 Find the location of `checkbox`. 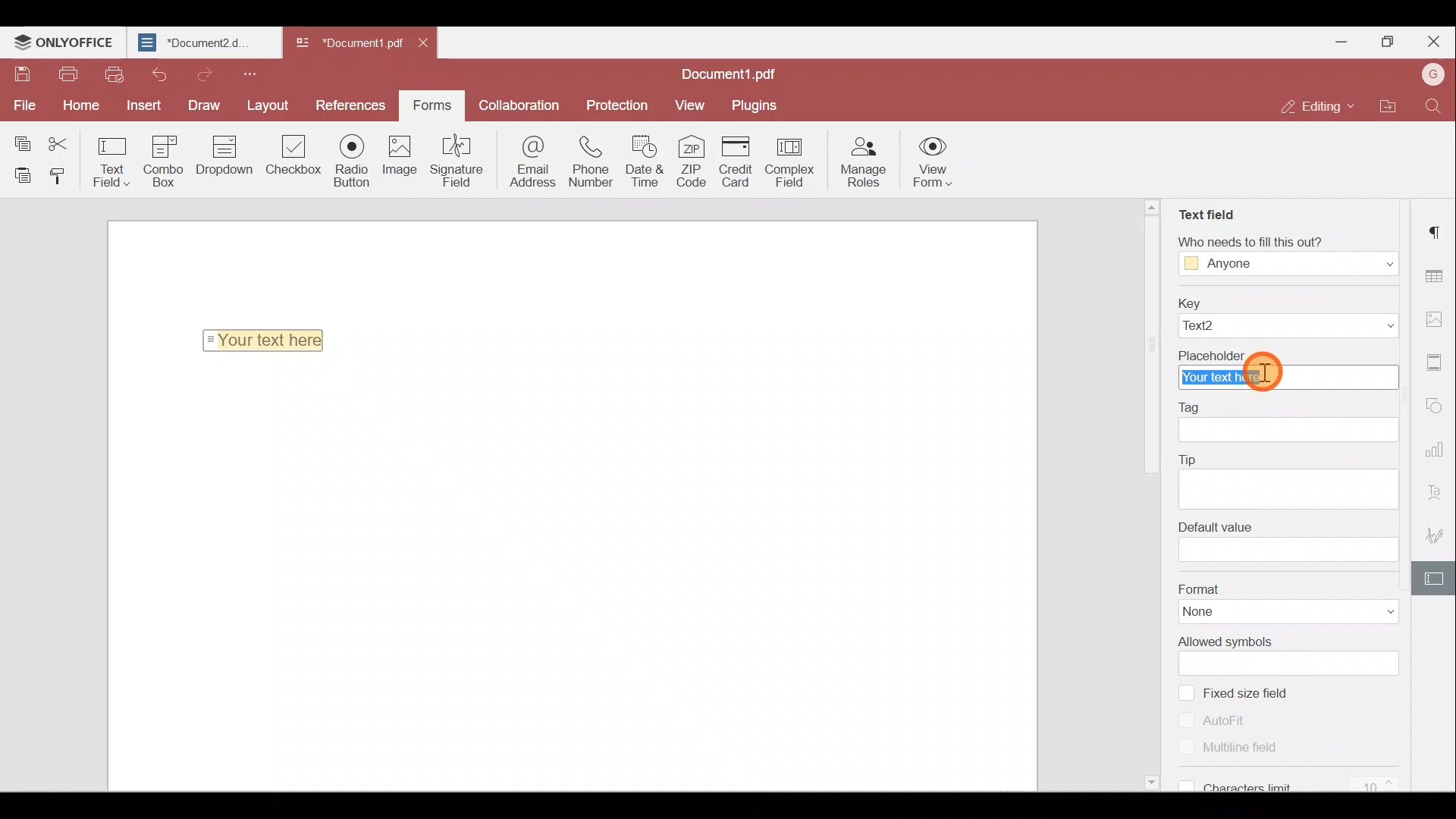

checkbox is located at coordinates (1187, 719).